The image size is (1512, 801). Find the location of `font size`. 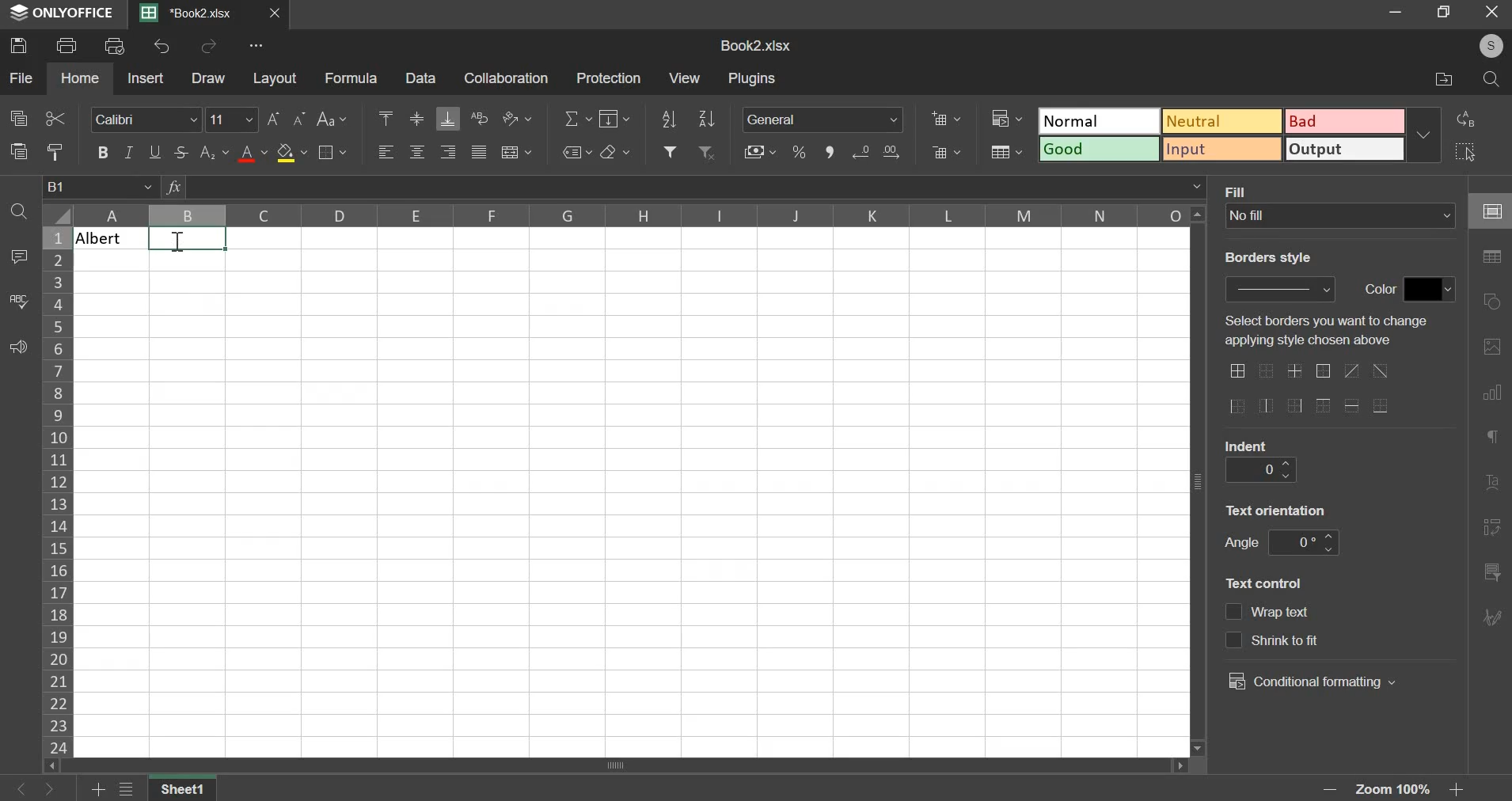

font size is located at coordinates (234, 119).